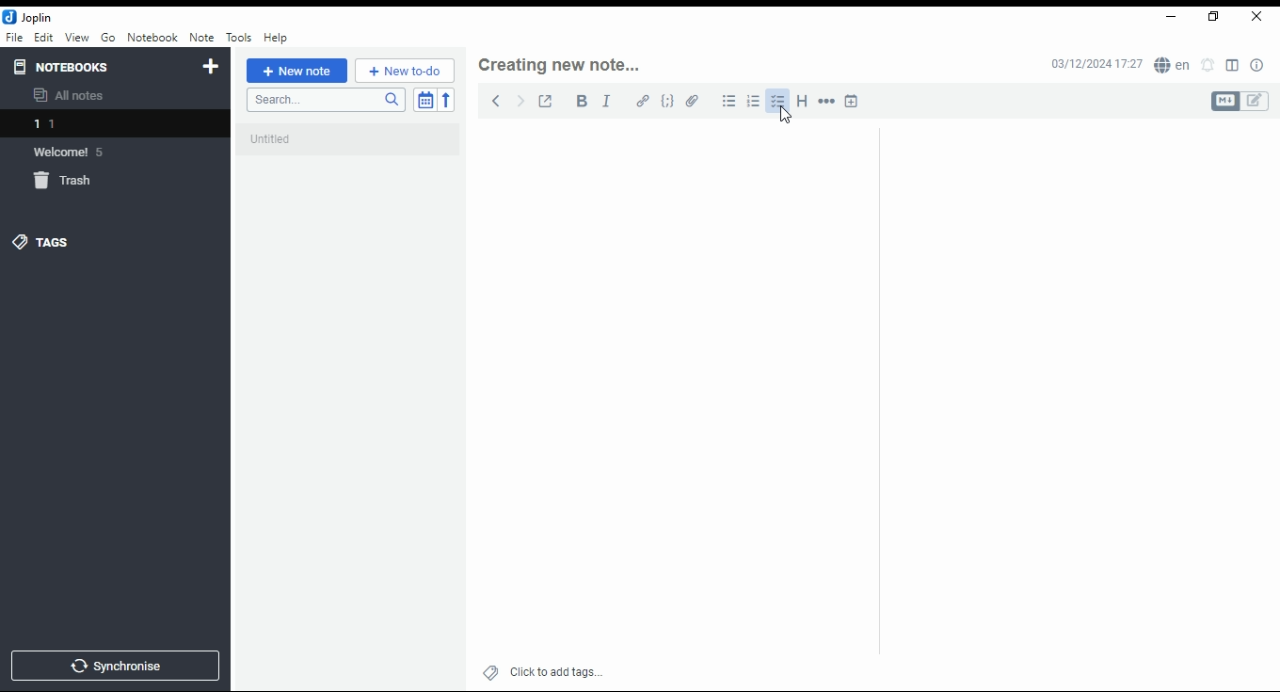 The image size is (1280, 692). Describe the element at coordinates (240, 38) in the screenshot. I see `tools` at that location.